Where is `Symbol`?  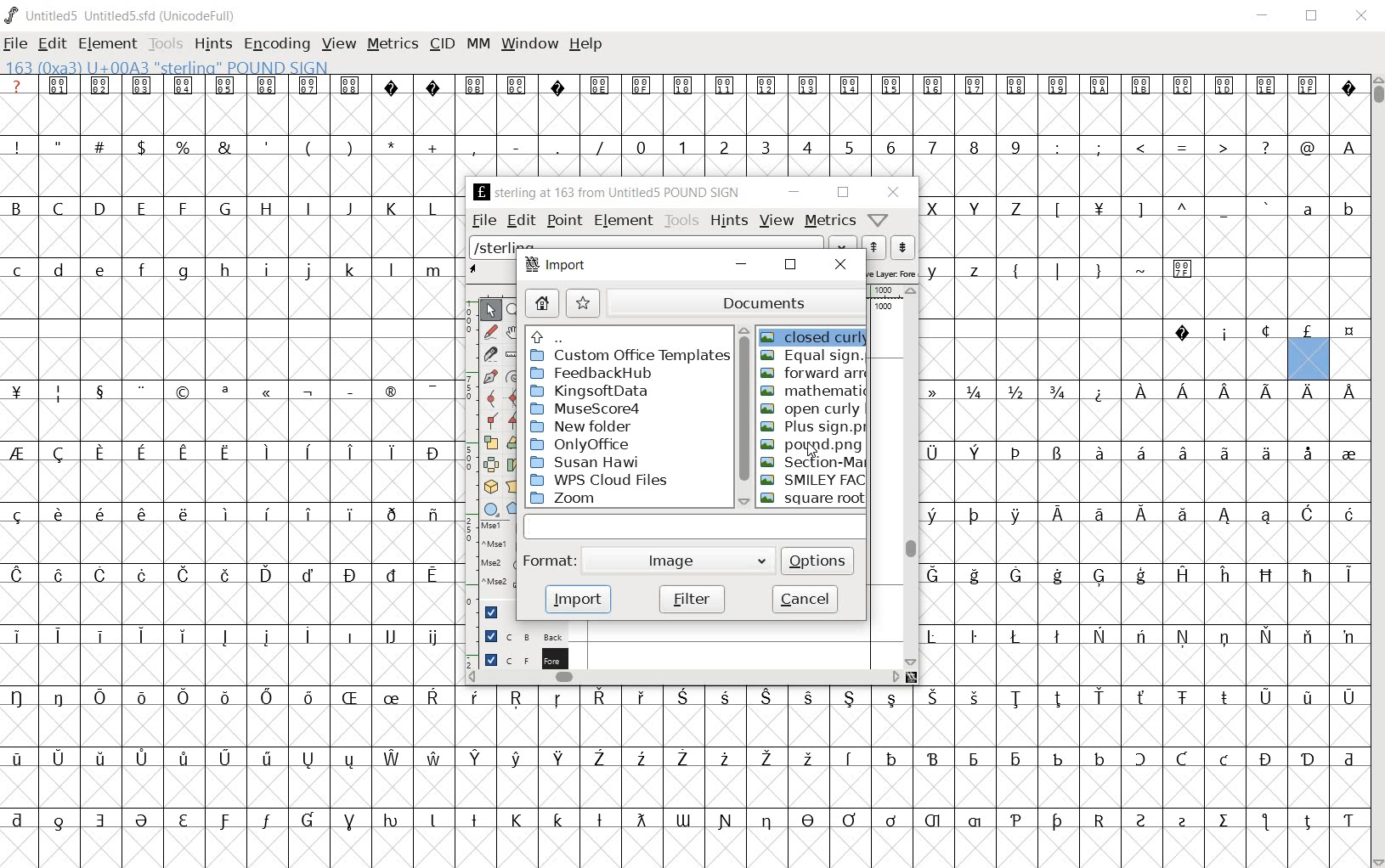
Symbol is located at coordinates (1143, 699).